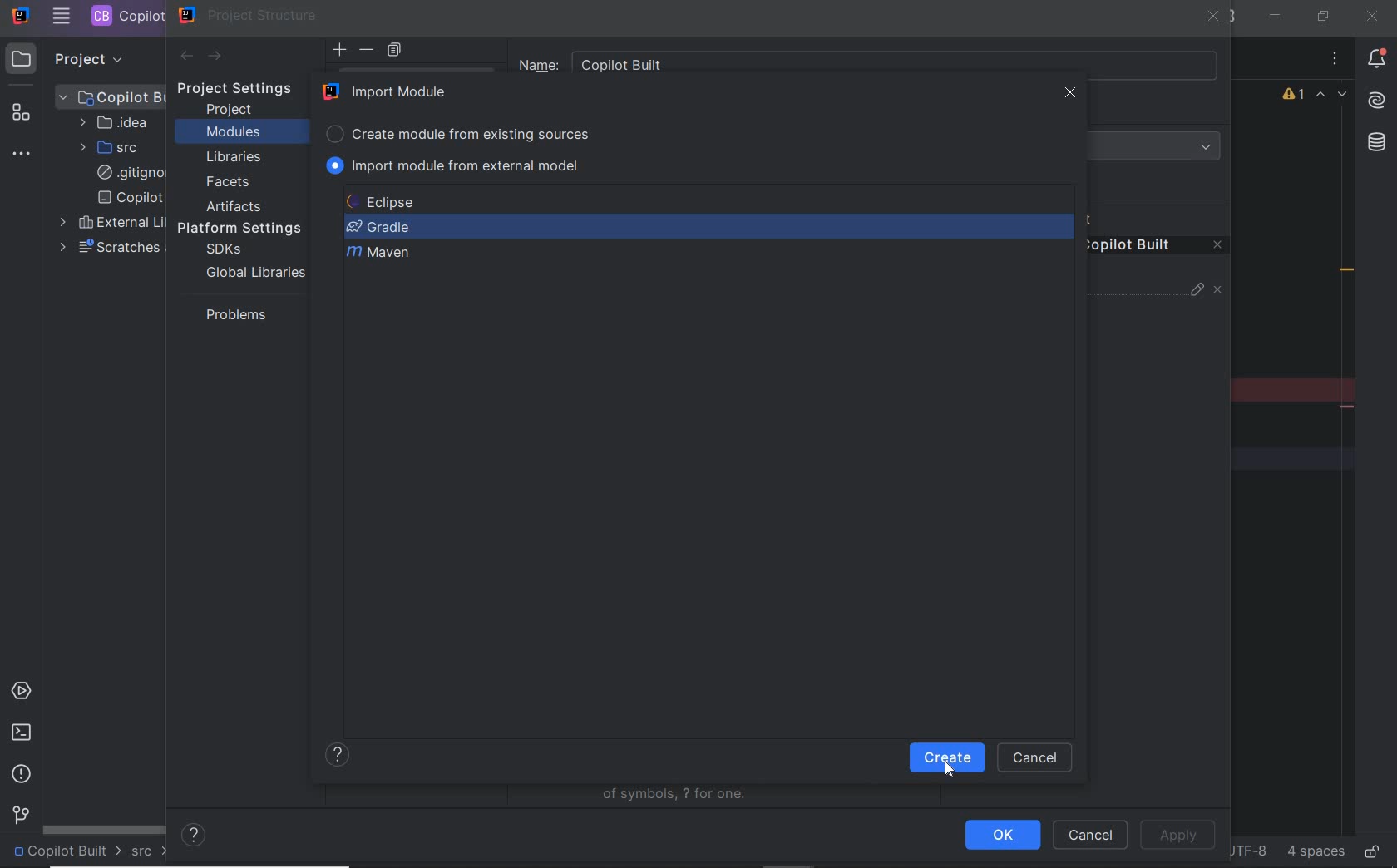 The width and height of the screenshot is (1397, 868). I want to click on add, so click(339, 50).